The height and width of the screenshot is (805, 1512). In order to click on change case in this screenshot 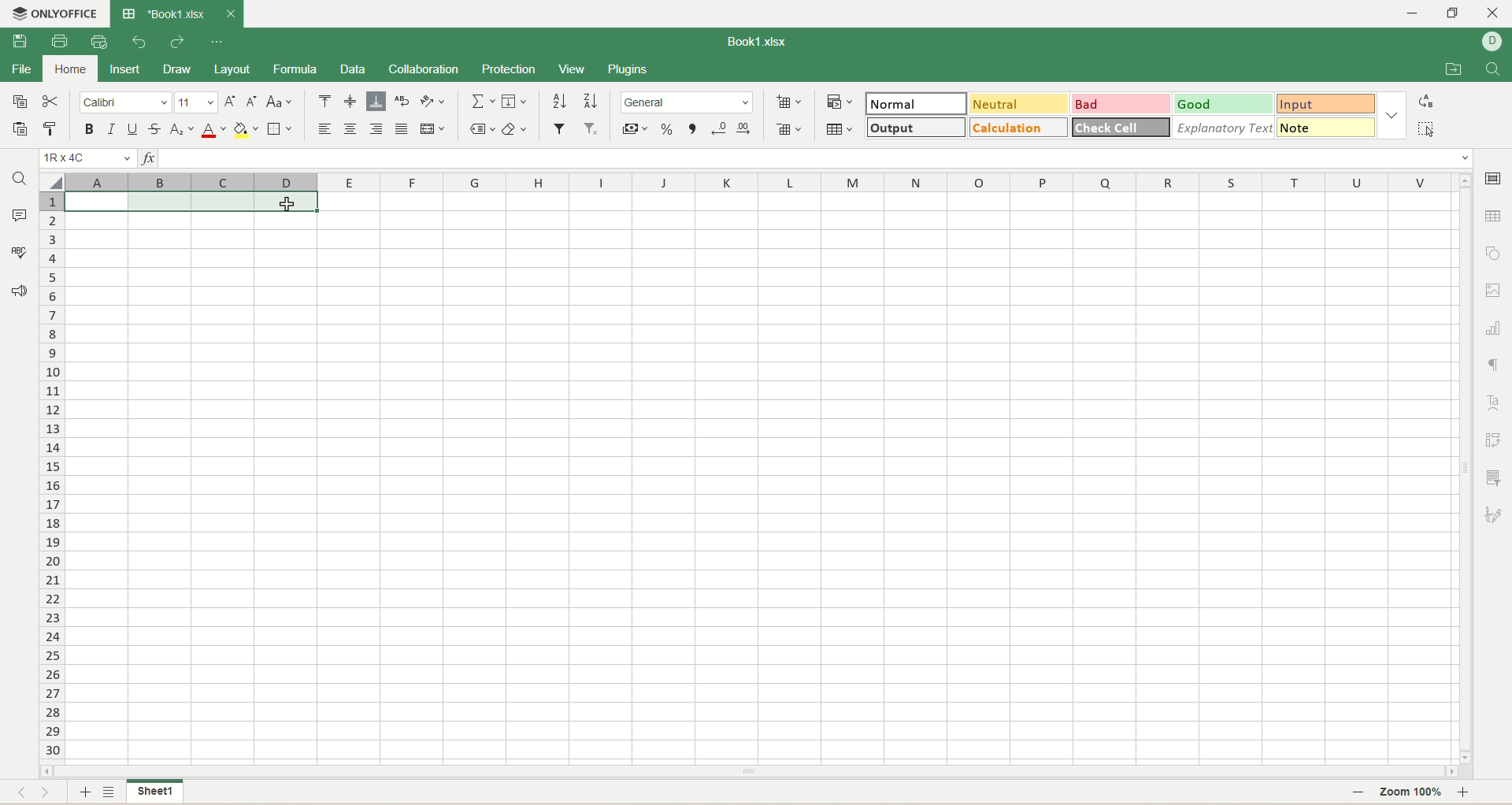, I will do `click(280, 102)`.